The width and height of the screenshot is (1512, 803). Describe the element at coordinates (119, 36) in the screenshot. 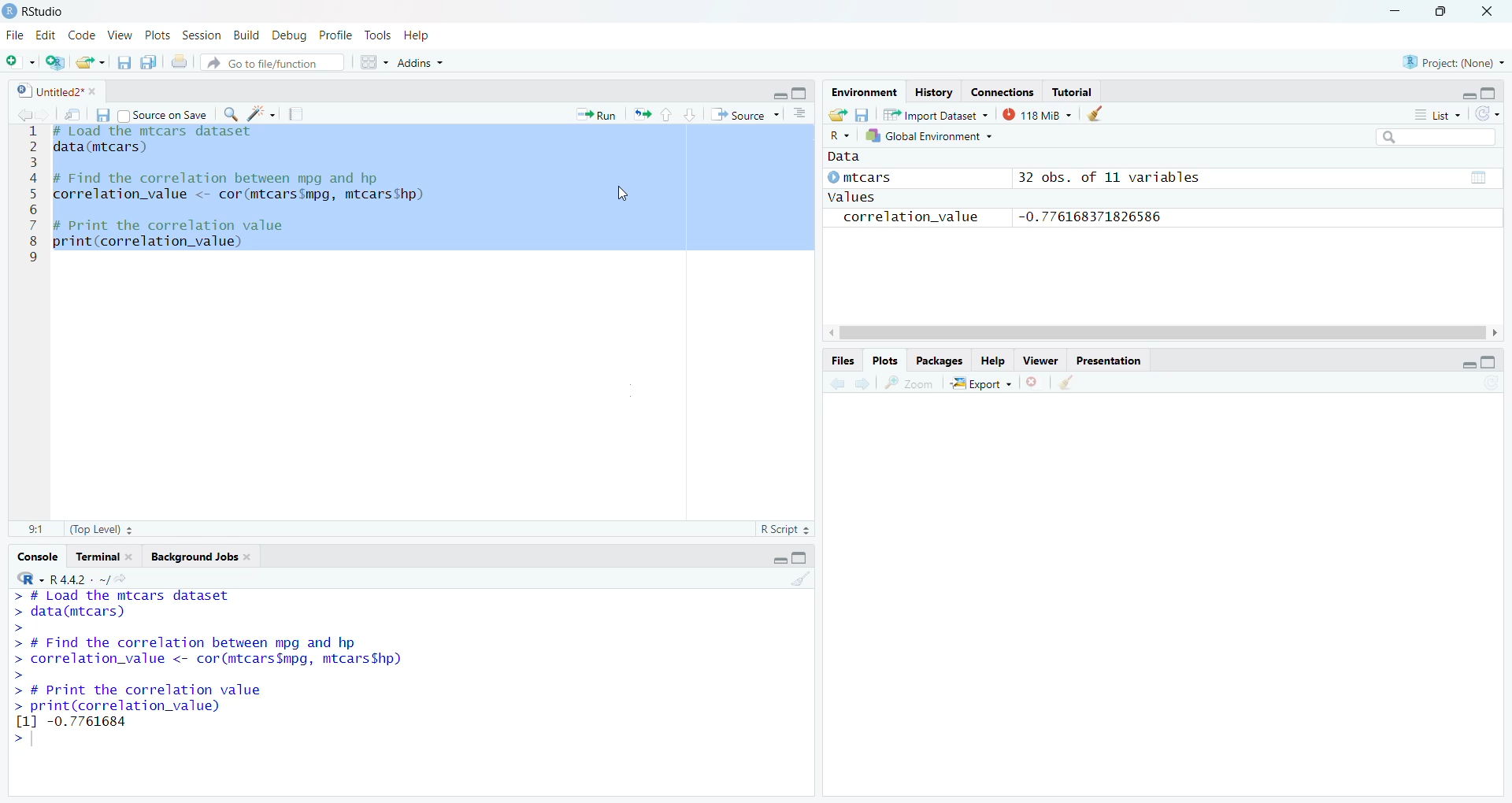

I see `View` at that location.